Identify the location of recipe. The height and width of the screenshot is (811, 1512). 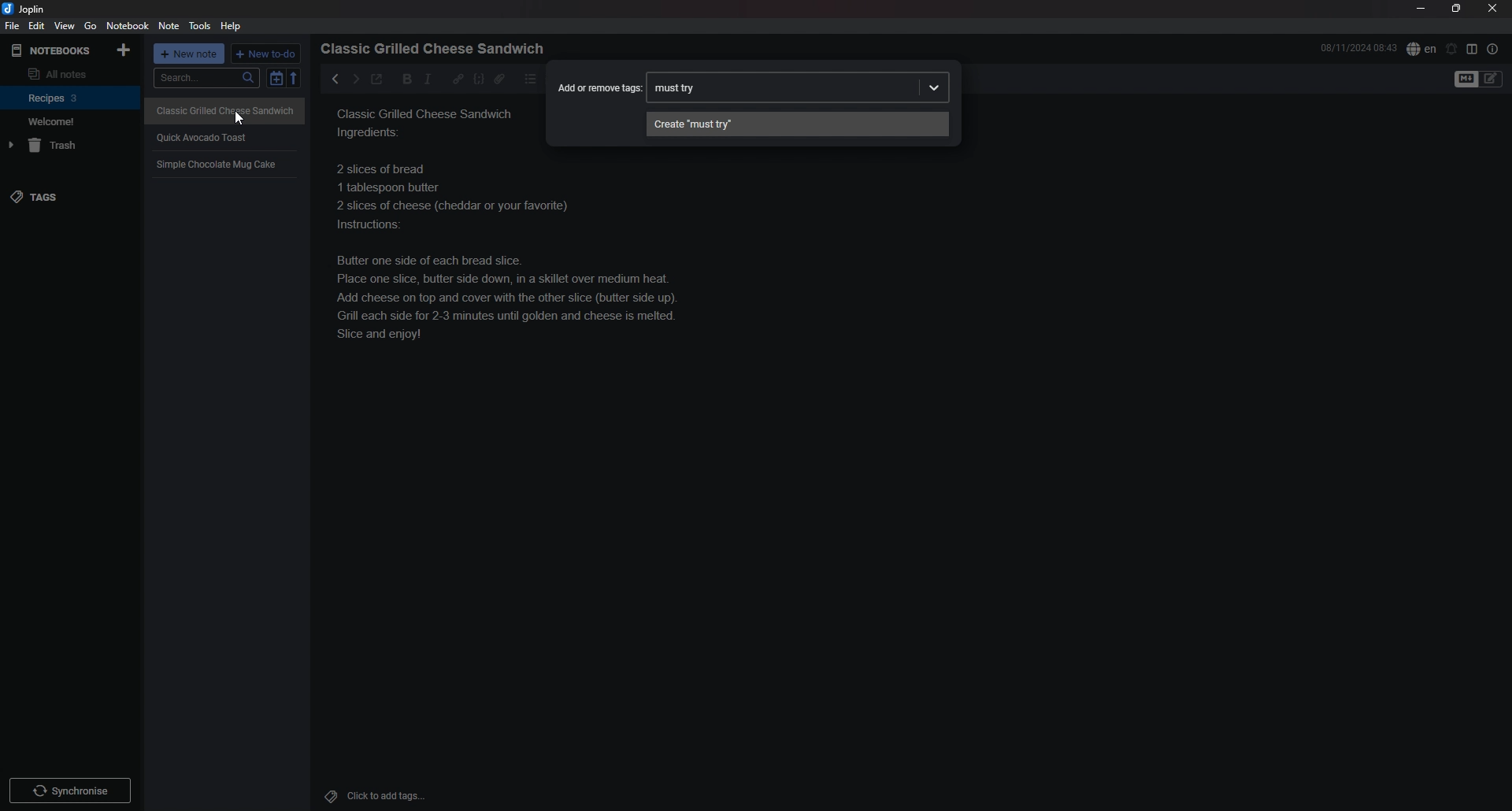
(216, 165).